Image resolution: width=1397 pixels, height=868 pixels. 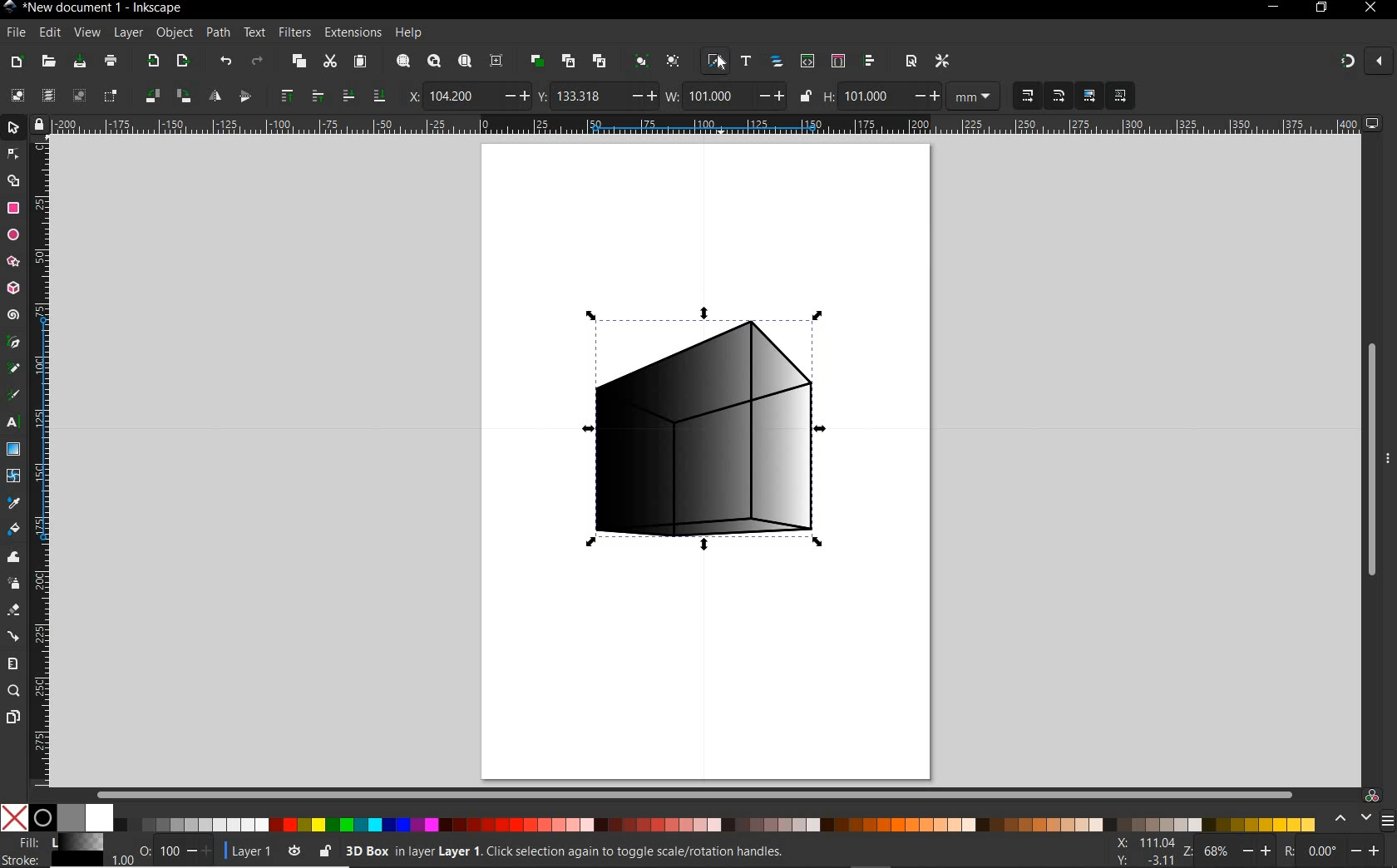 I want to click on cursor, so click(x=723, y=64).